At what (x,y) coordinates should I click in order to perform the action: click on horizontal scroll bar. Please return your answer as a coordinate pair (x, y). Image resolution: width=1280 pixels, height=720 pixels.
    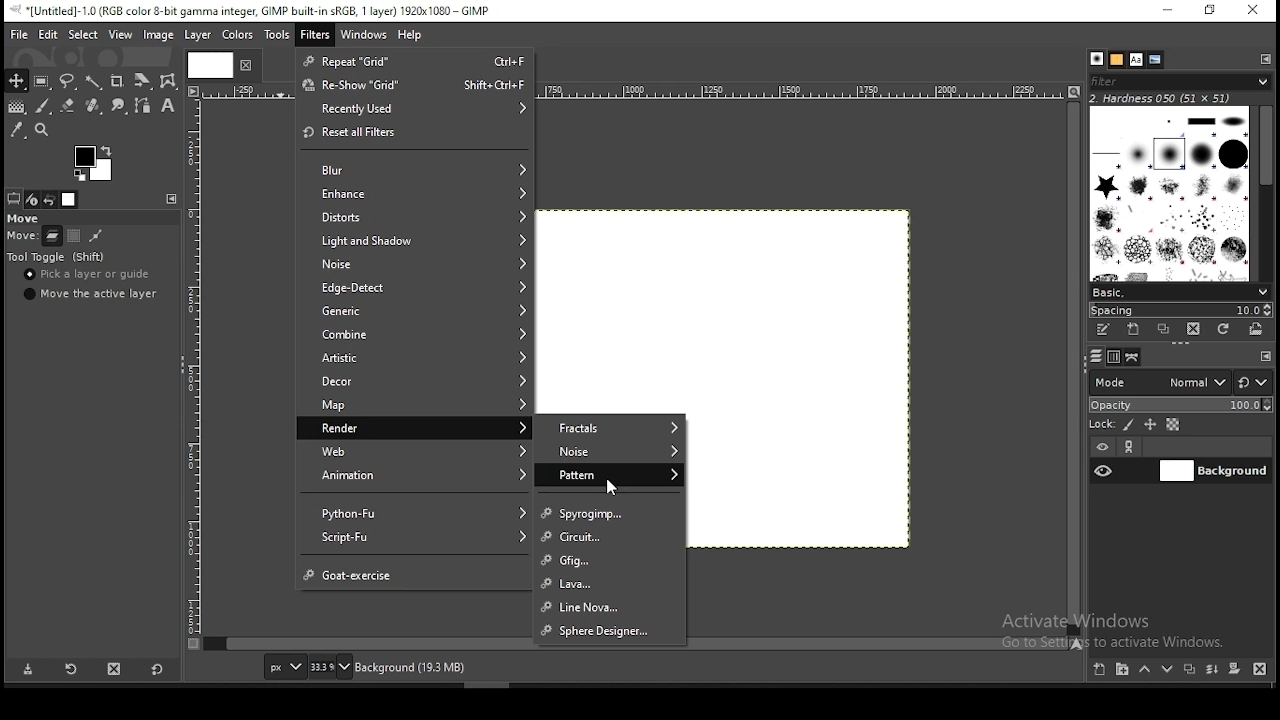
    Looking at the image, I should click on (1075, 367).